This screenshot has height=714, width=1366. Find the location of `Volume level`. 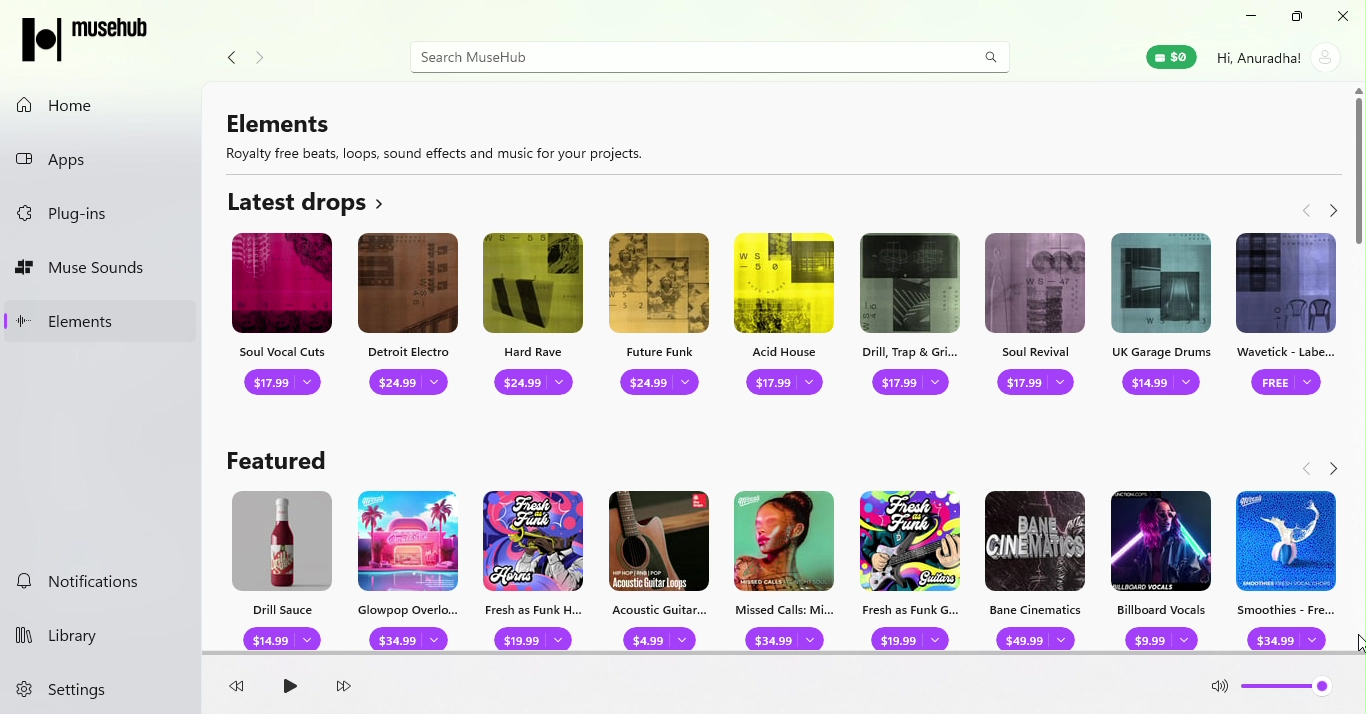

Volume level is located at coordinates (1289, 691).